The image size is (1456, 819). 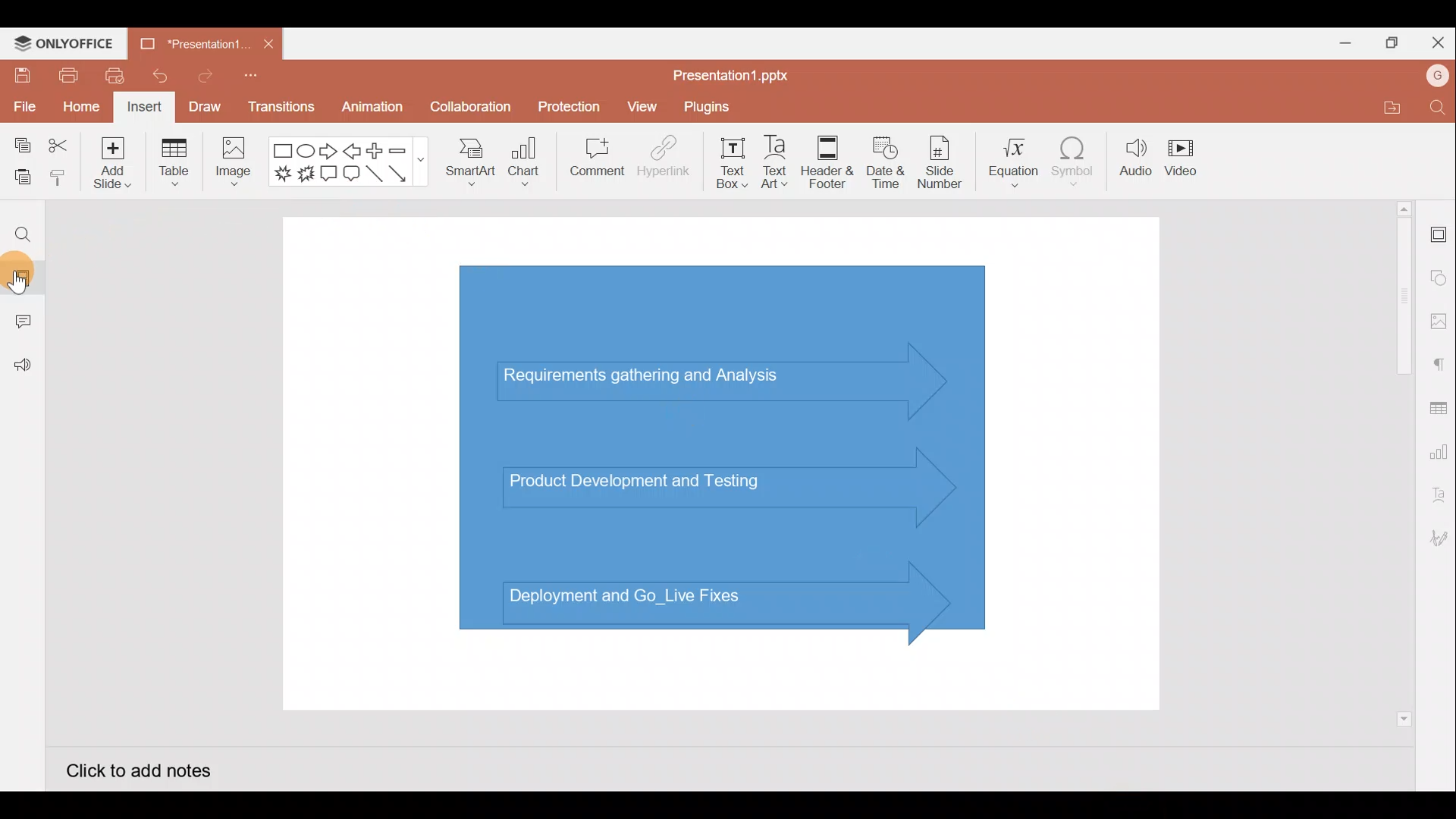 I want to click on Copy style, so click(x=59, y=177).